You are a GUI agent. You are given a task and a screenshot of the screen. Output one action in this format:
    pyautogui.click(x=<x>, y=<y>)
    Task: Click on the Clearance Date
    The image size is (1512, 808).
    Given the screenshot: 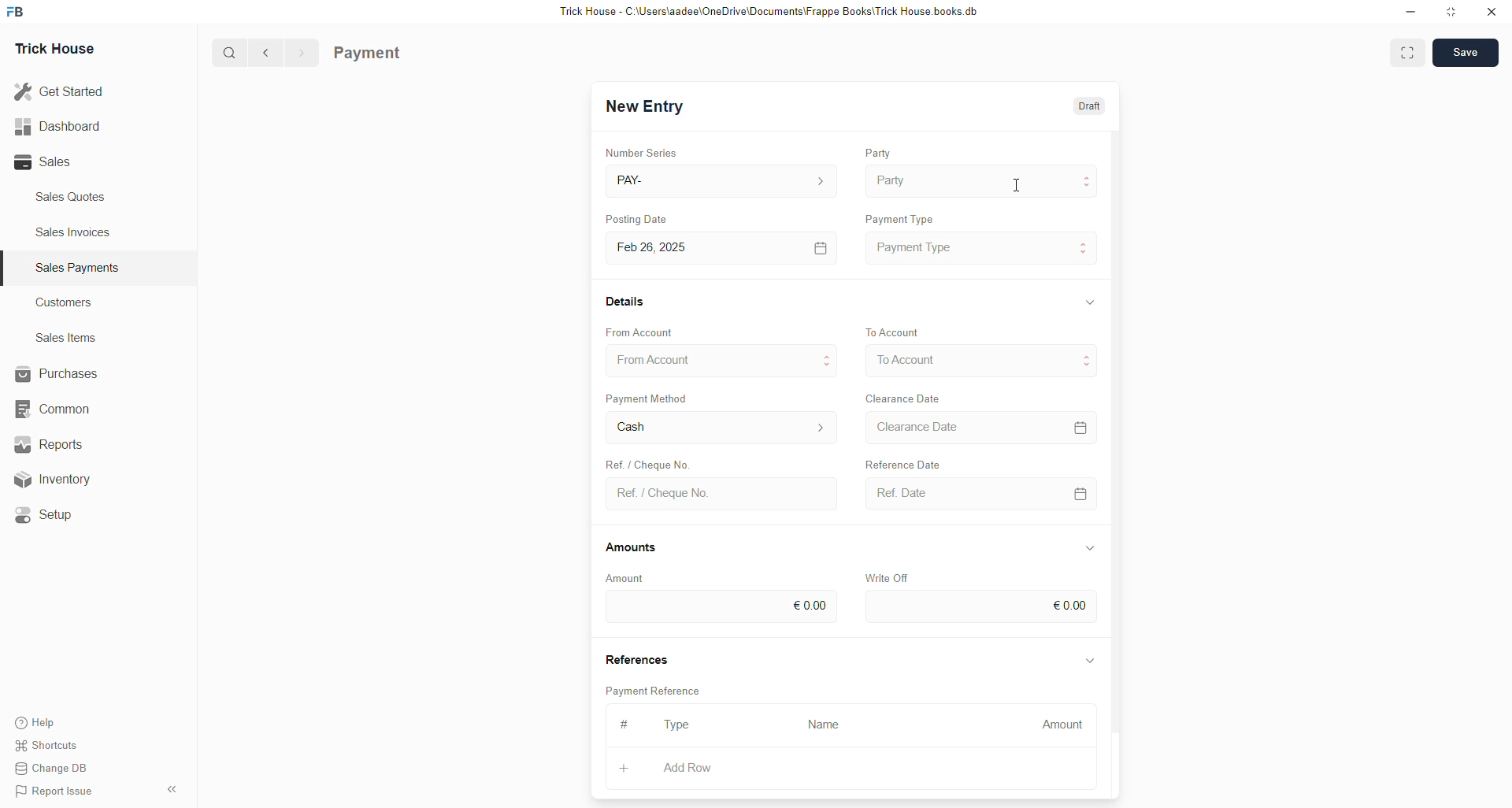 What is the action you would take?
    pyautogui.click(x=981, y=427)
    